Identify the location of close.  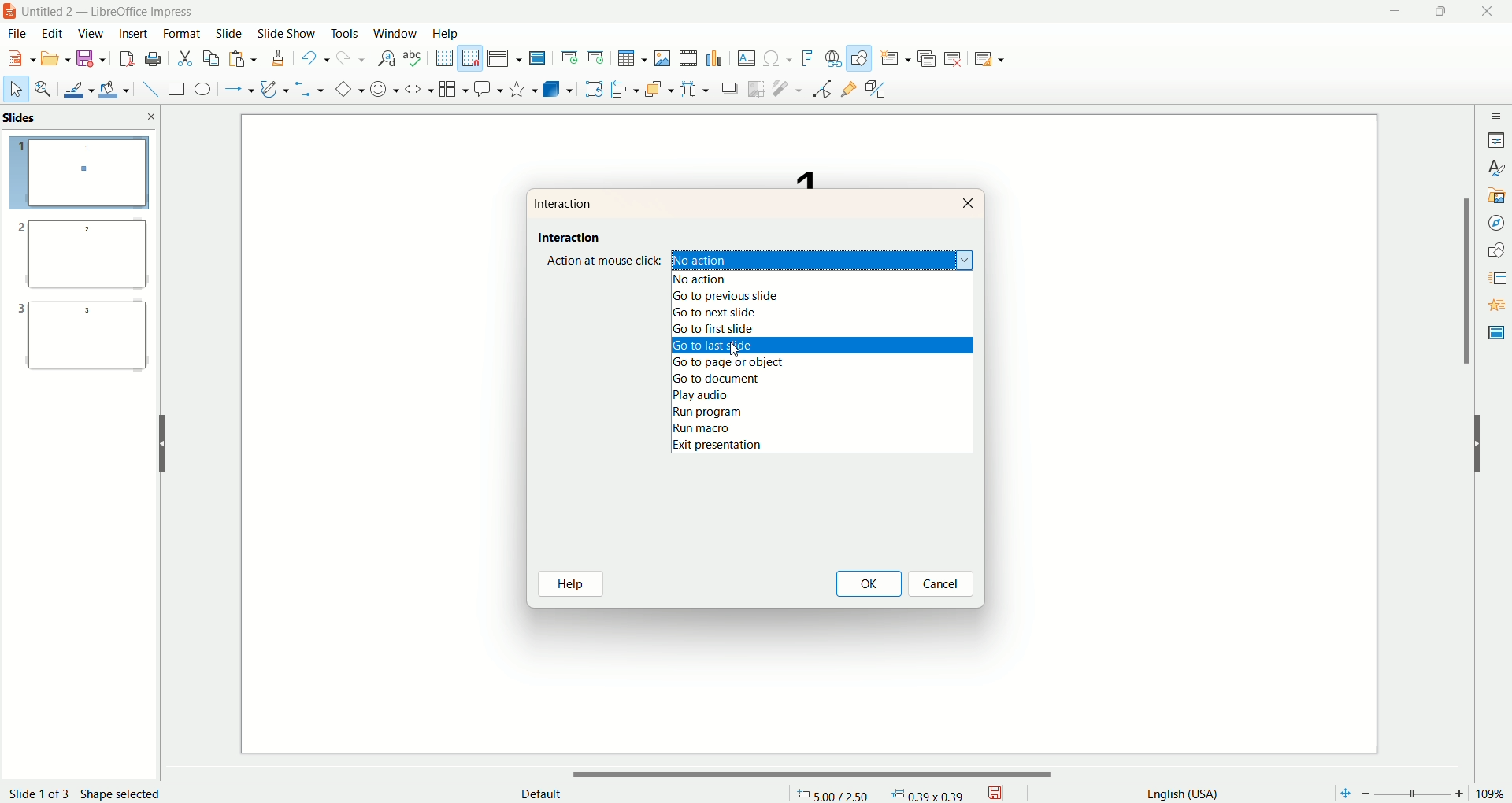
(152, 116).